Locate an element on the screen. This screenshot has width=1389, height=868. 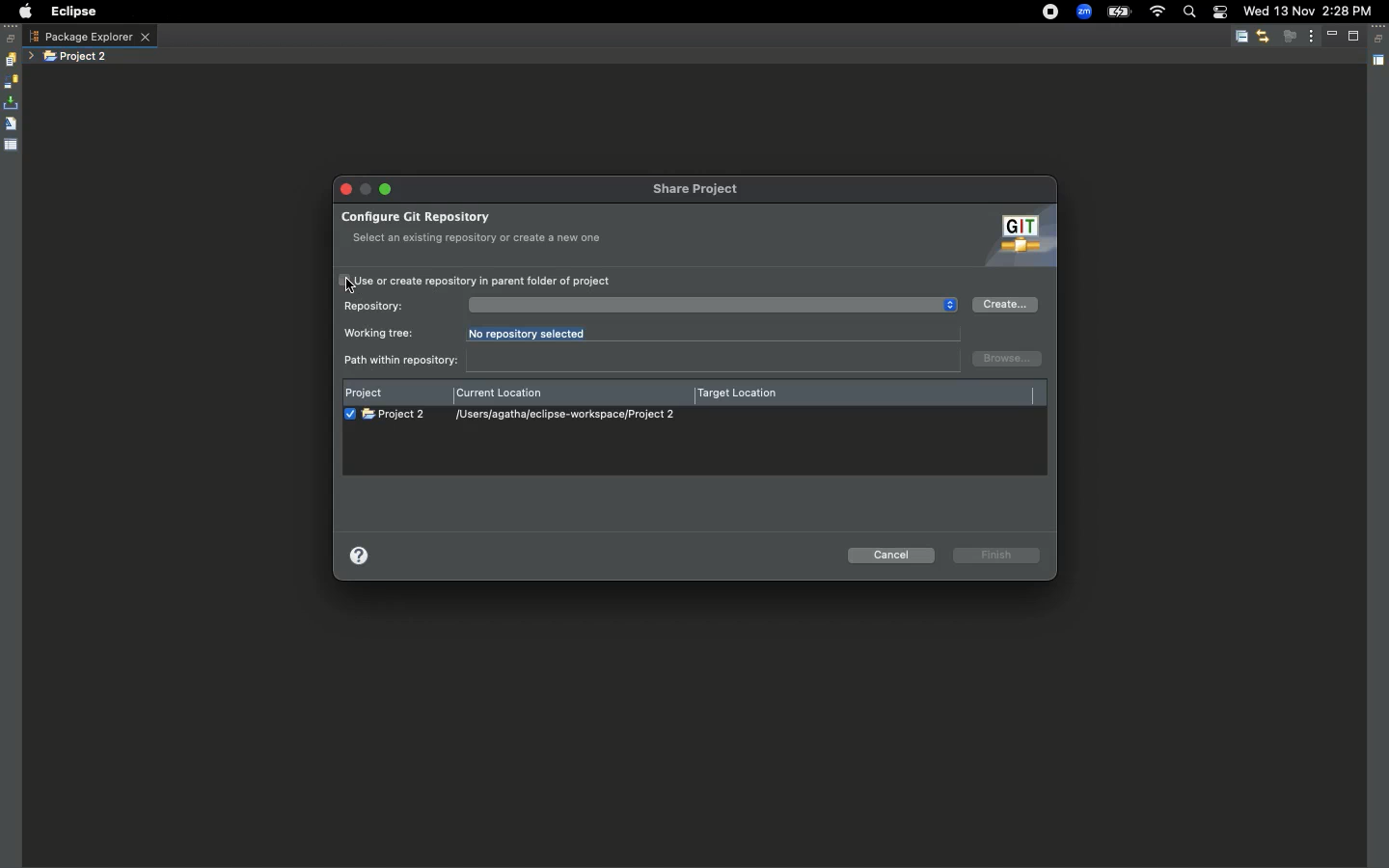
Create... is located at coordinates (1004, 304).